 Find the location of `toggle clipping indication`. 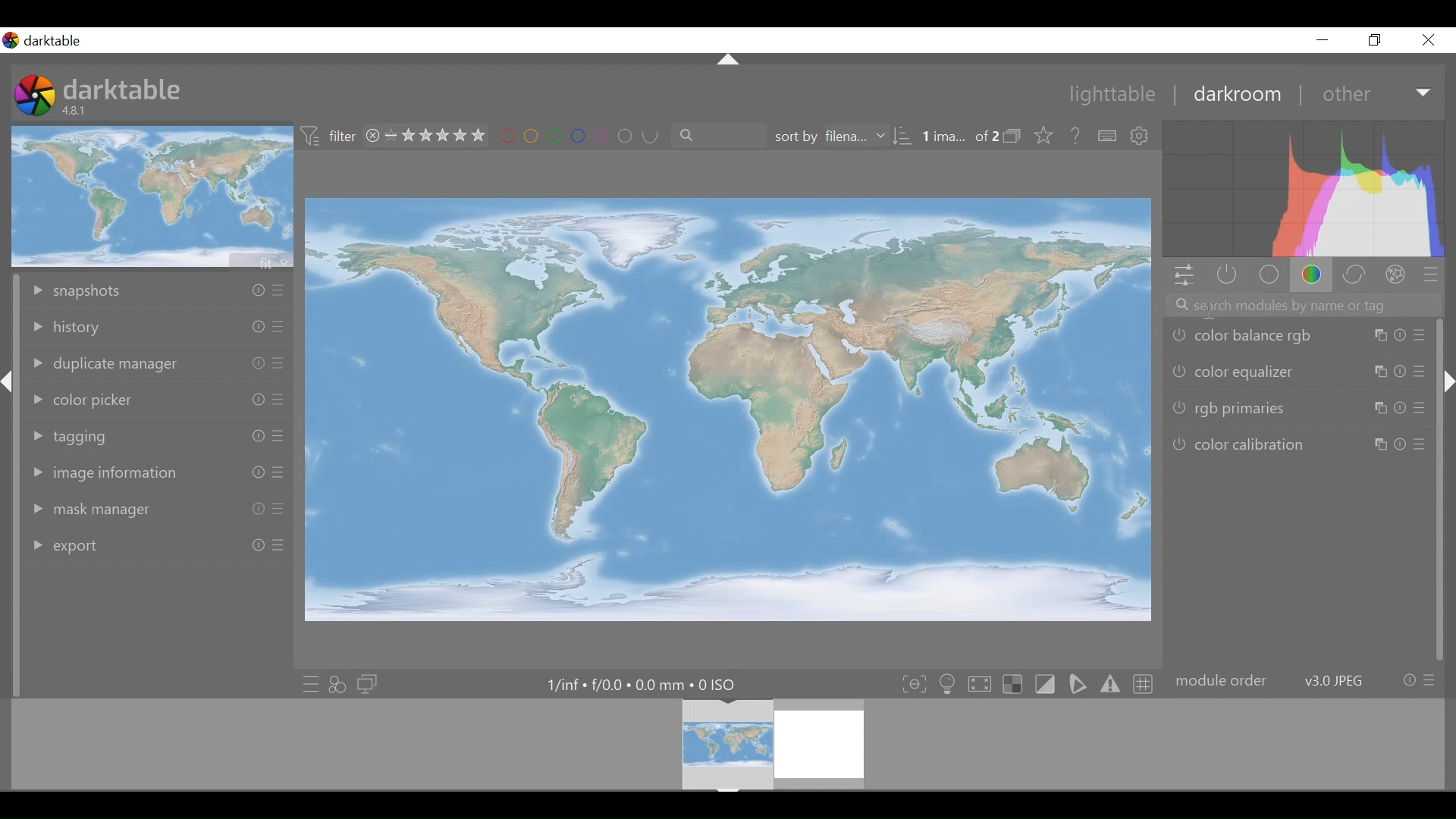

toggle clipping indication is located at coordinates (1044, 684).